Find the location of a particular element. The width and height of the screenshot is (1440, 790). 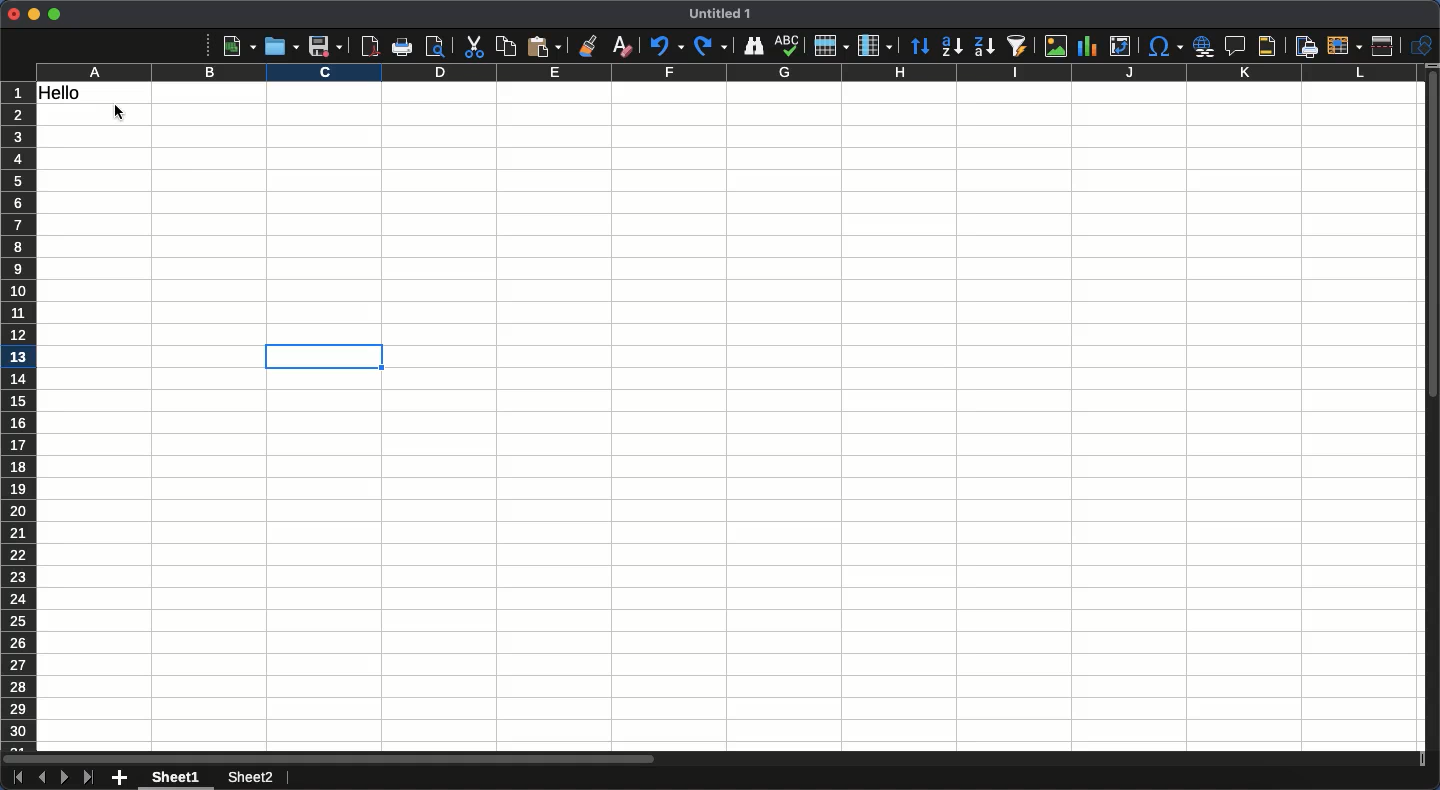

Sheet 2 is located at coordinates (252, 779).